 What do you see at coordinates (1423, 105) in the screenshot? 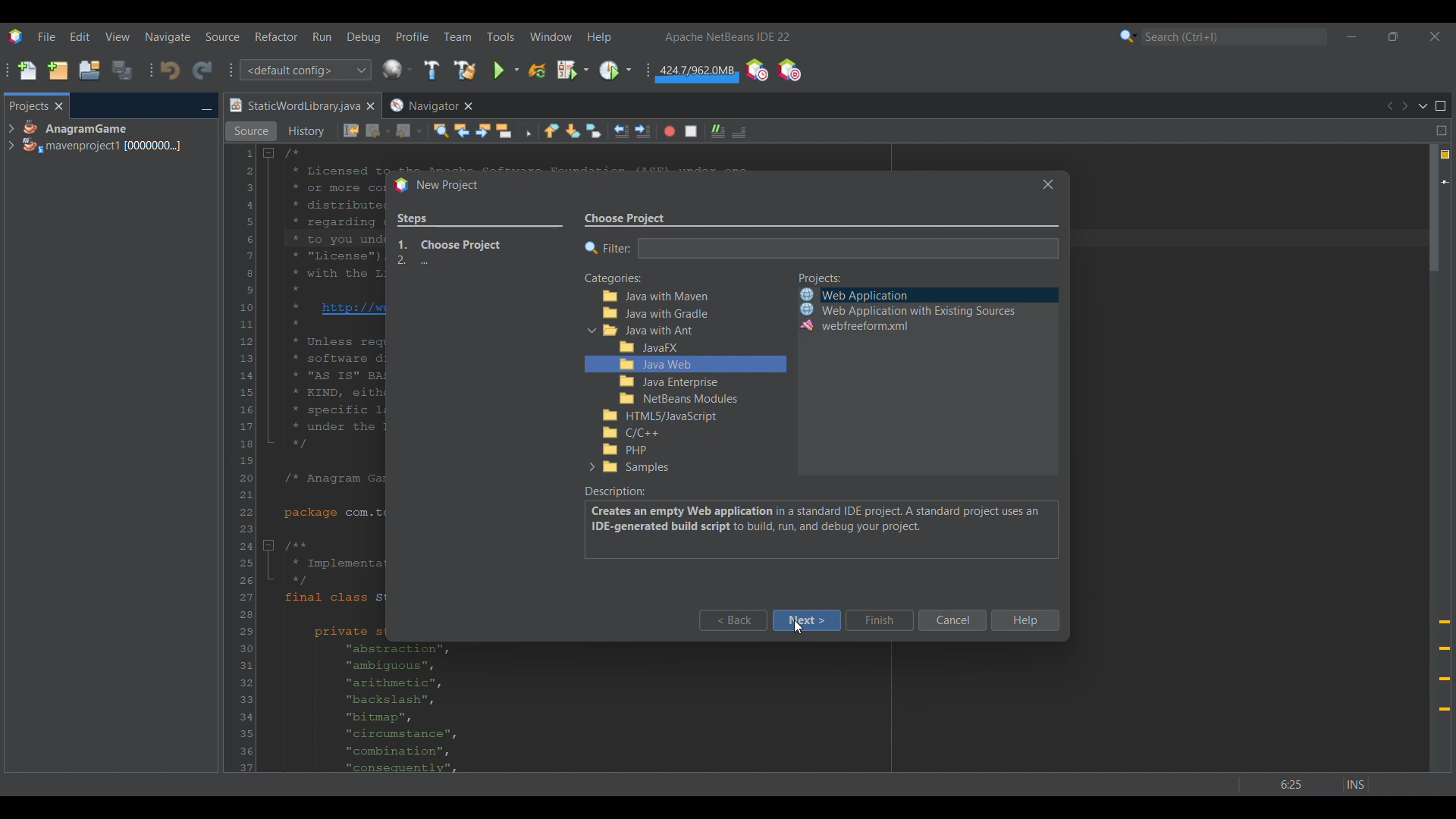
I see `Show documents list` at bounding box center [1423, 105].